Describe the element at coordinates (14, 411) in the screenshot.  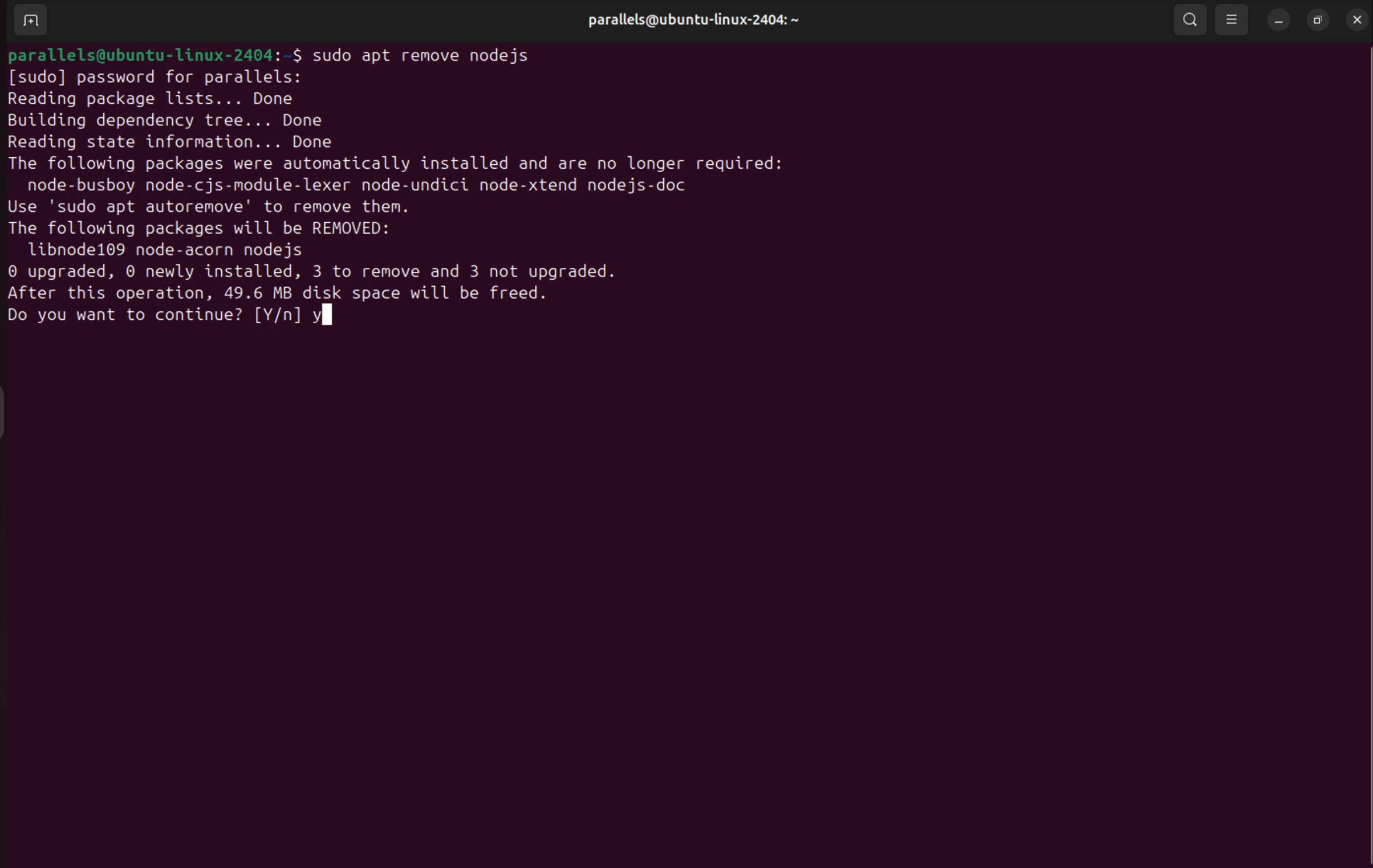
I see `Toggle button` at that location.